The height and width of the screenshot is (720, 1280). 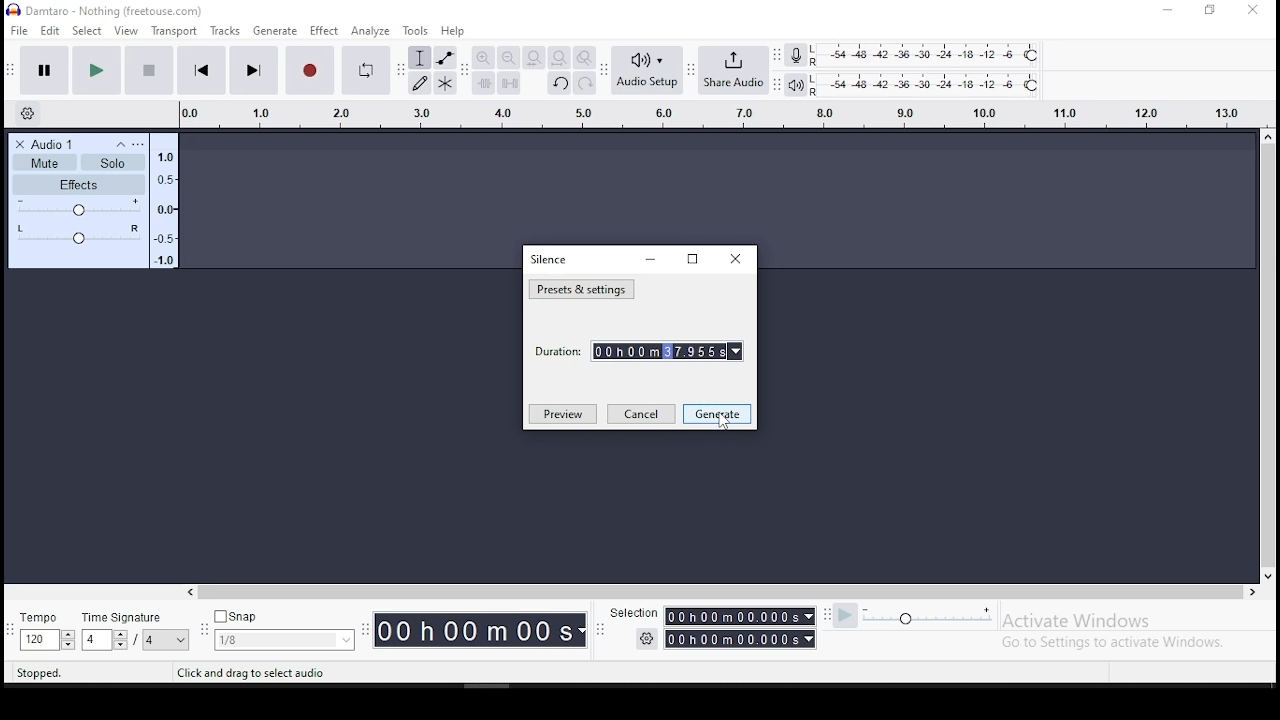 I want to click on recording level, so click(x=927, y=54).